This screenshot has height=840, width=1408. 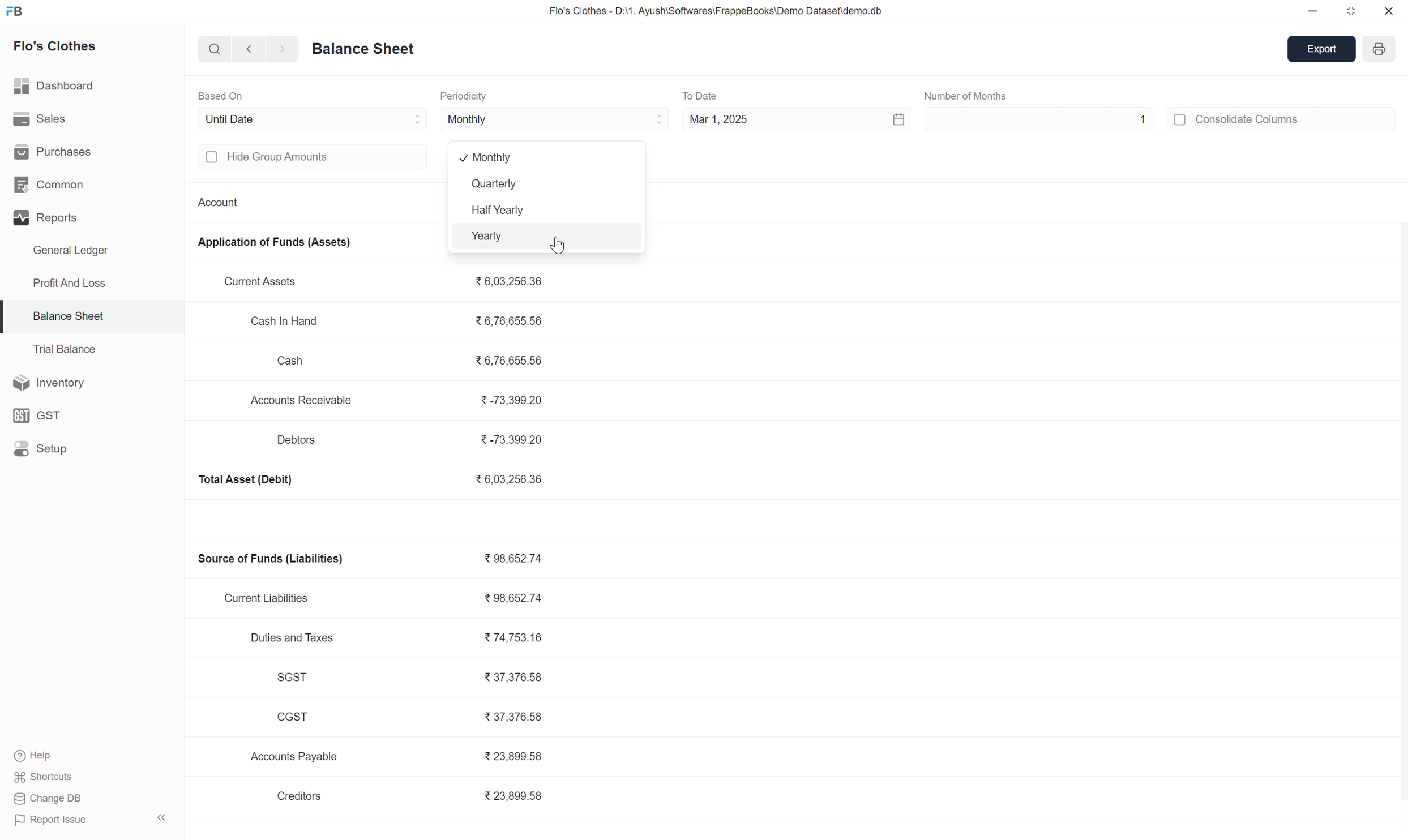 I want to click on Duties and Taxes, so click(x=307, y=638).